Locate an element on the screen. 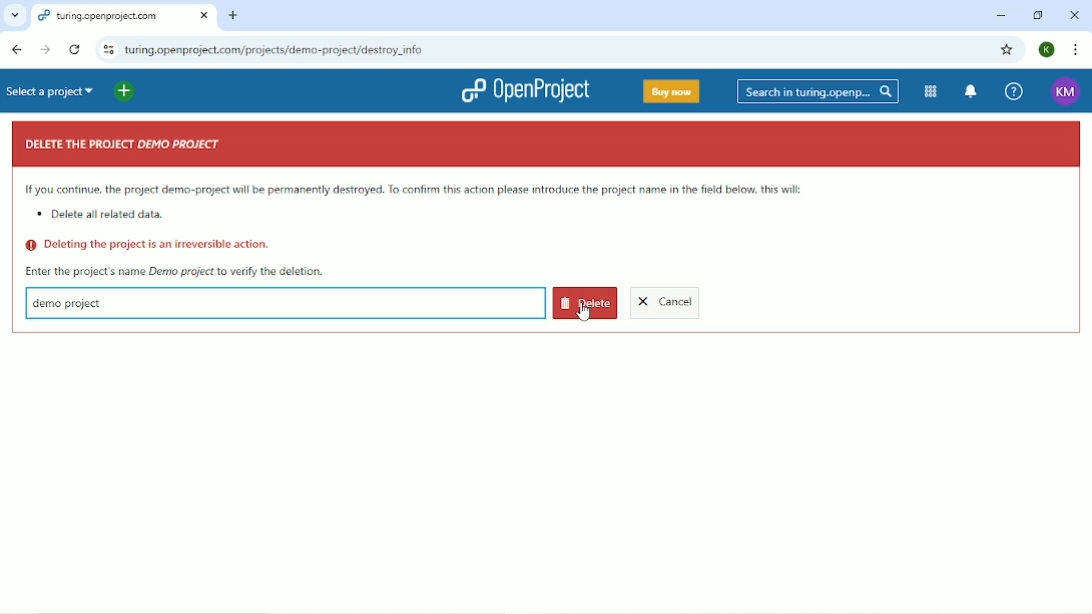 This screenshot has width=1092, height=614. View site information is located at coordinates (108, 48).